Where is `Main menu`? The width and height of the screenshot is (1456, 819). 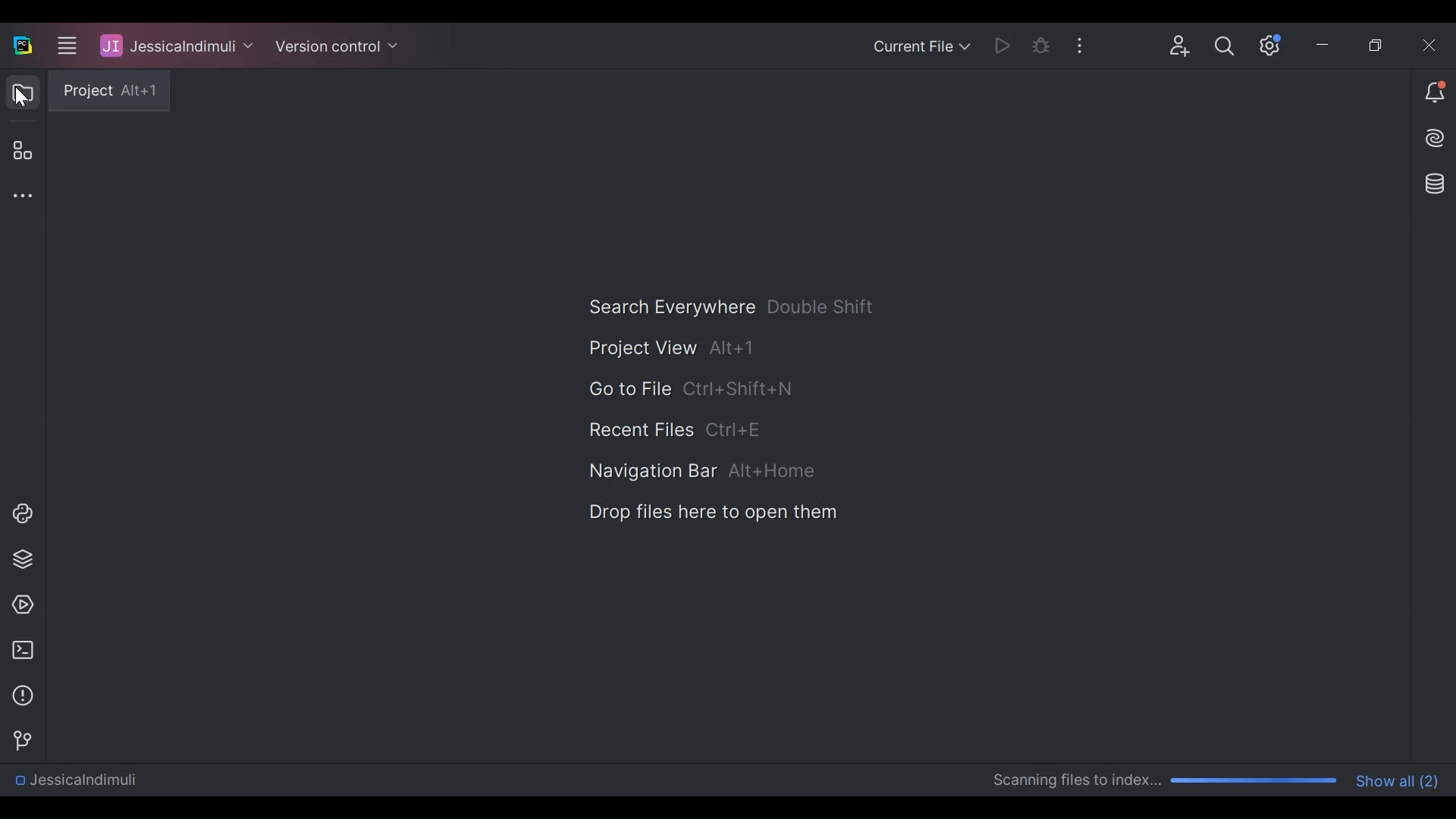 Main menu is located at coordinates (62, 45).